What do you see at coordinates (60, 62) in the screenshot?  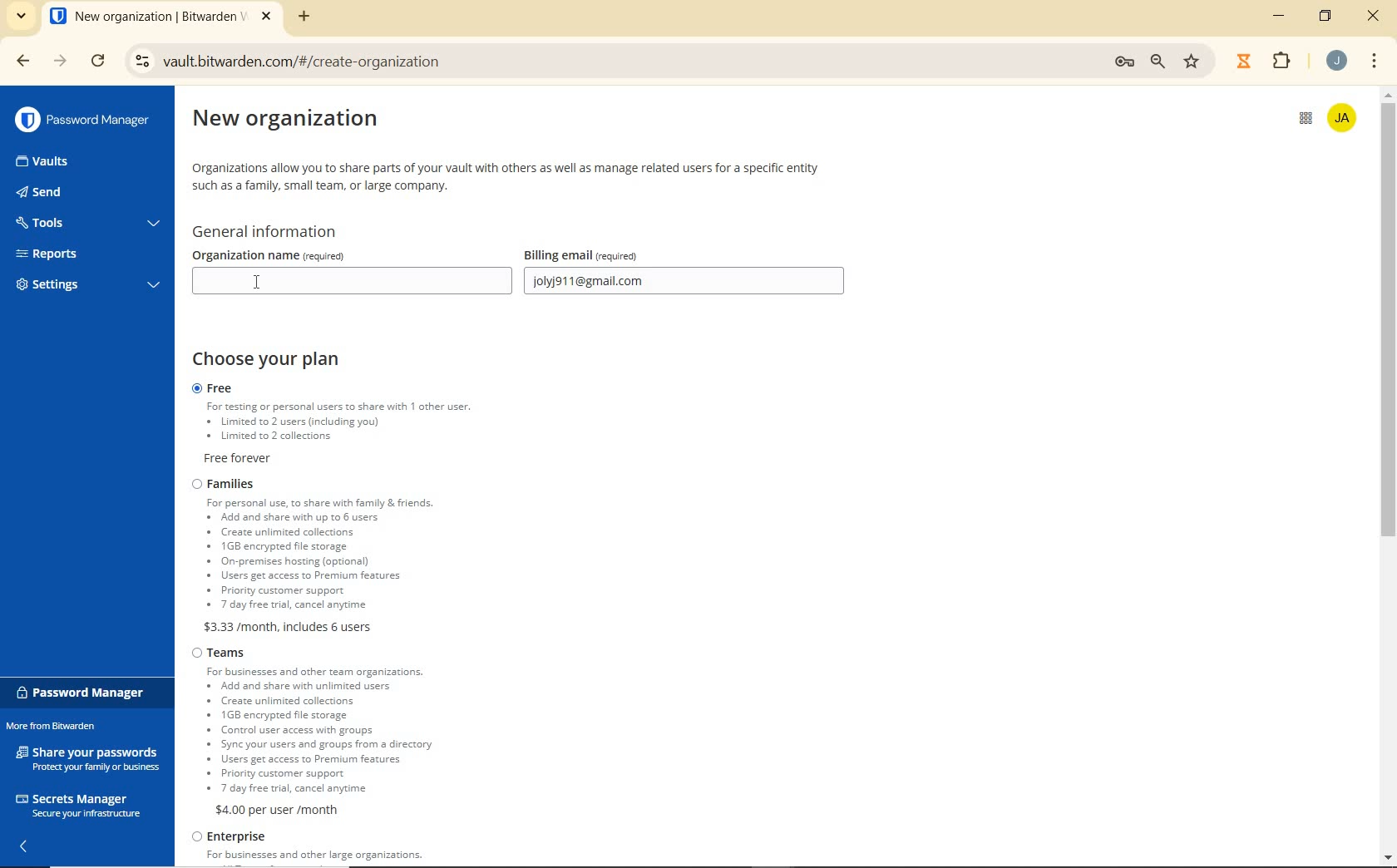 I see `FORWARD` at bounding box center [60, 62].